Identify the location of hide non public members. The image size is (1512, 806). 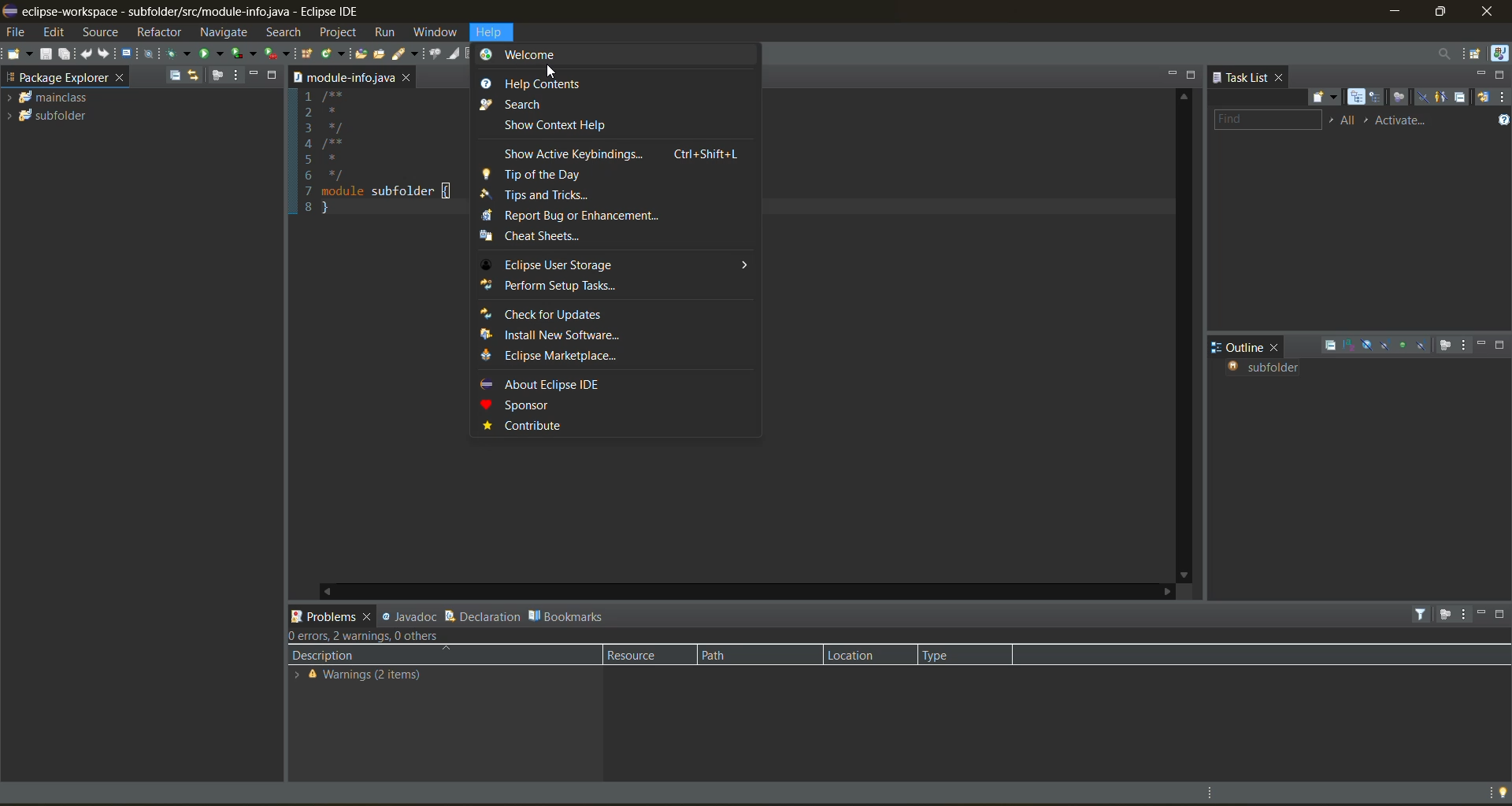
(1404, 346).